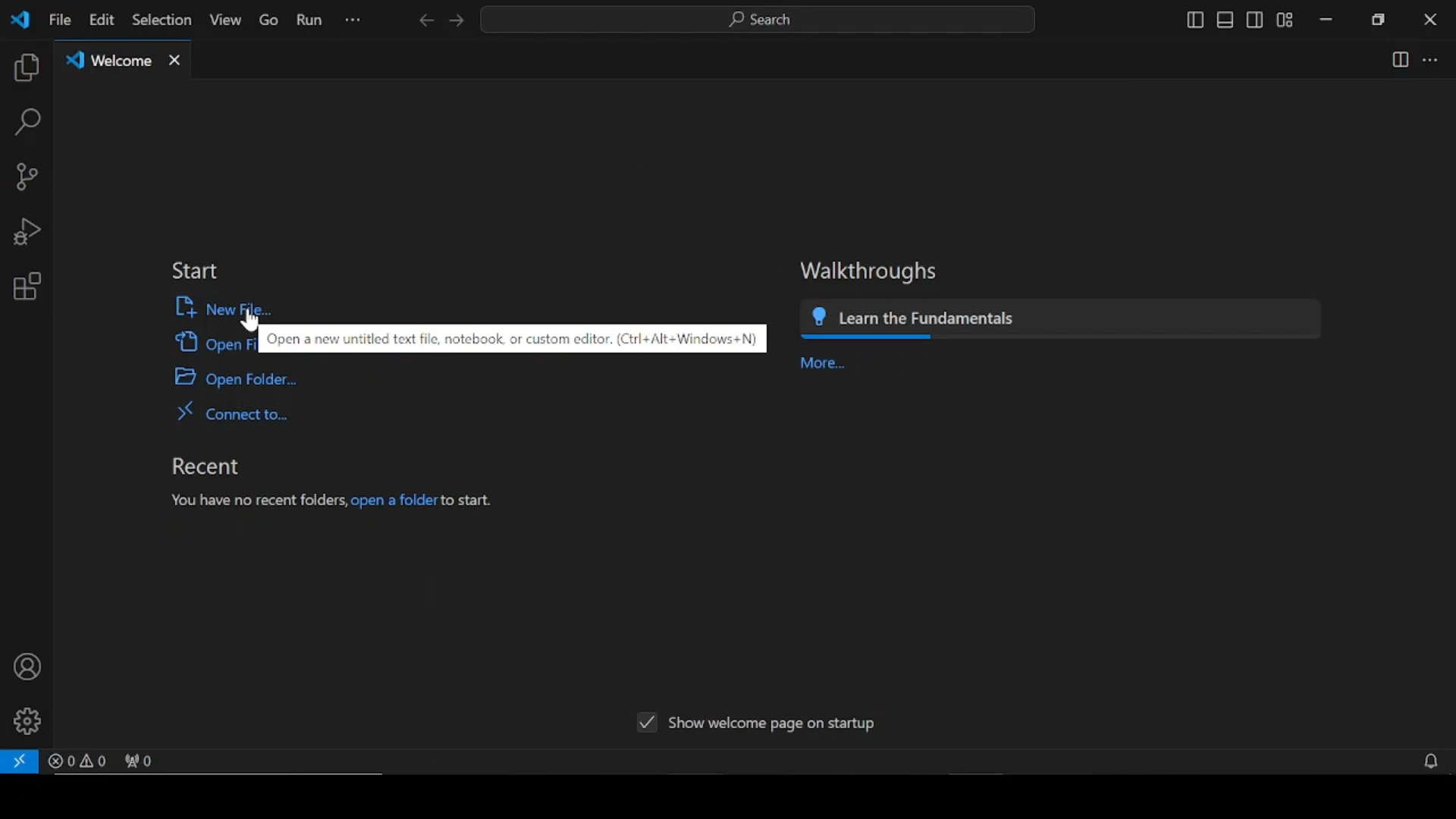 Image resolution: width=1456 pixels, height=819 pixels. I want to click on next, so click(456, 20).